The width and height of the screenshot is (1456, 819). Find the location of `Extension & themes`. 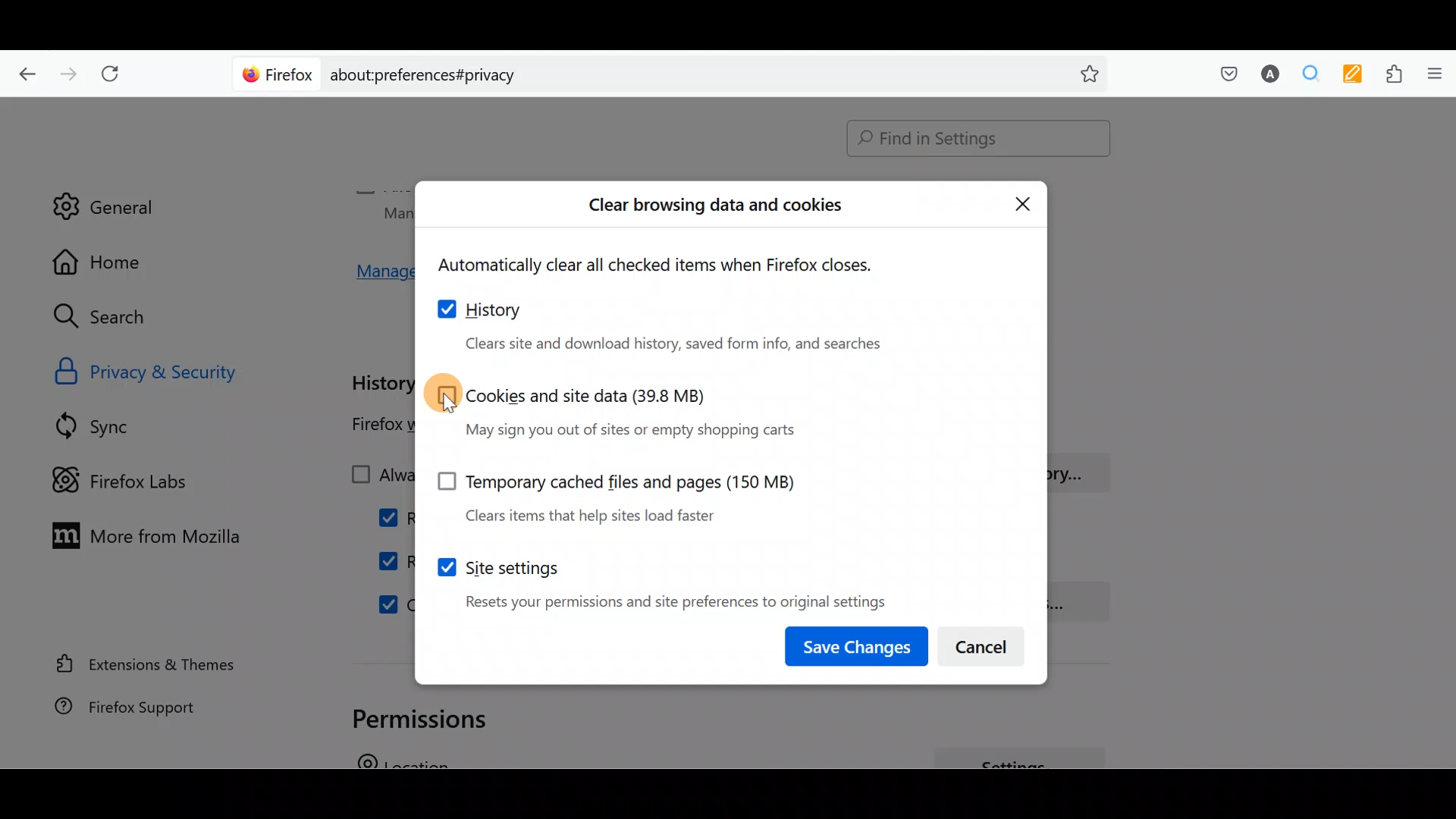

Extension & themes is located at coordinates (149, 667).